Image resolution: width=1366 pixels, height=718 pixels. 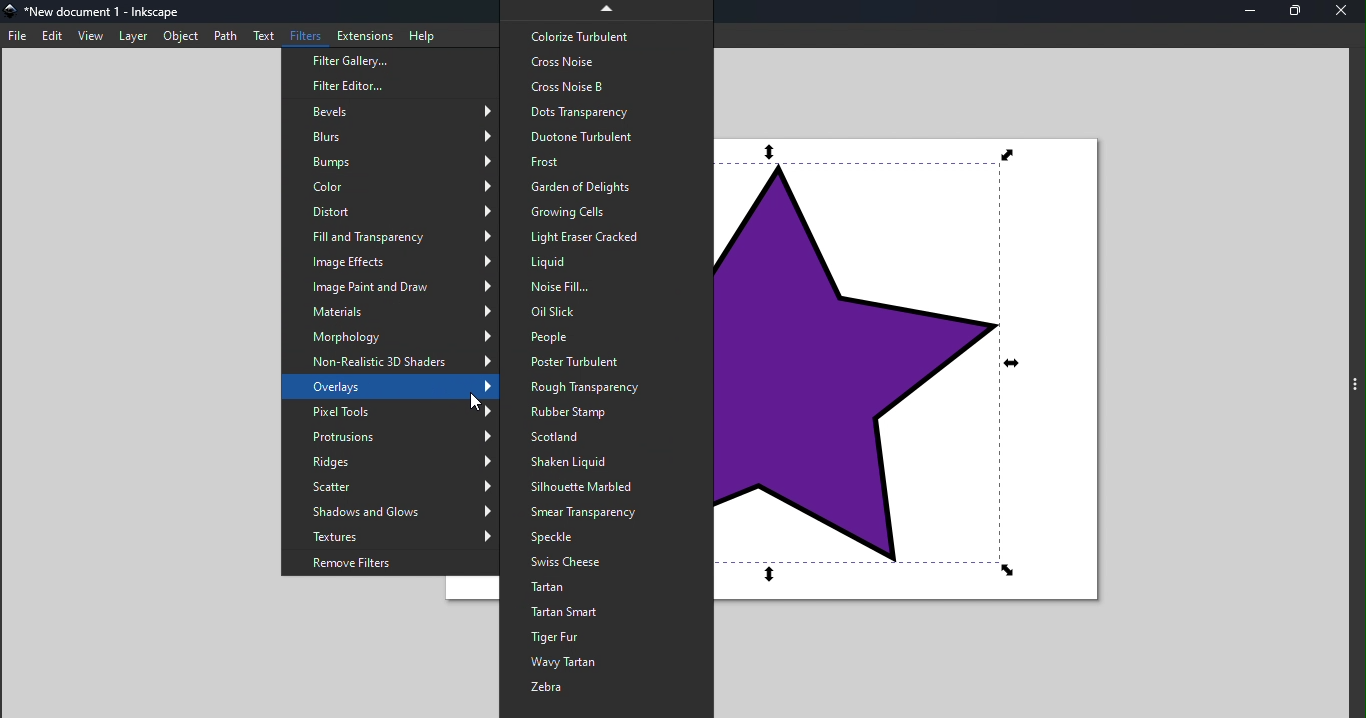 I want to click on Toggle command panel, so click(x=1353, y=385).